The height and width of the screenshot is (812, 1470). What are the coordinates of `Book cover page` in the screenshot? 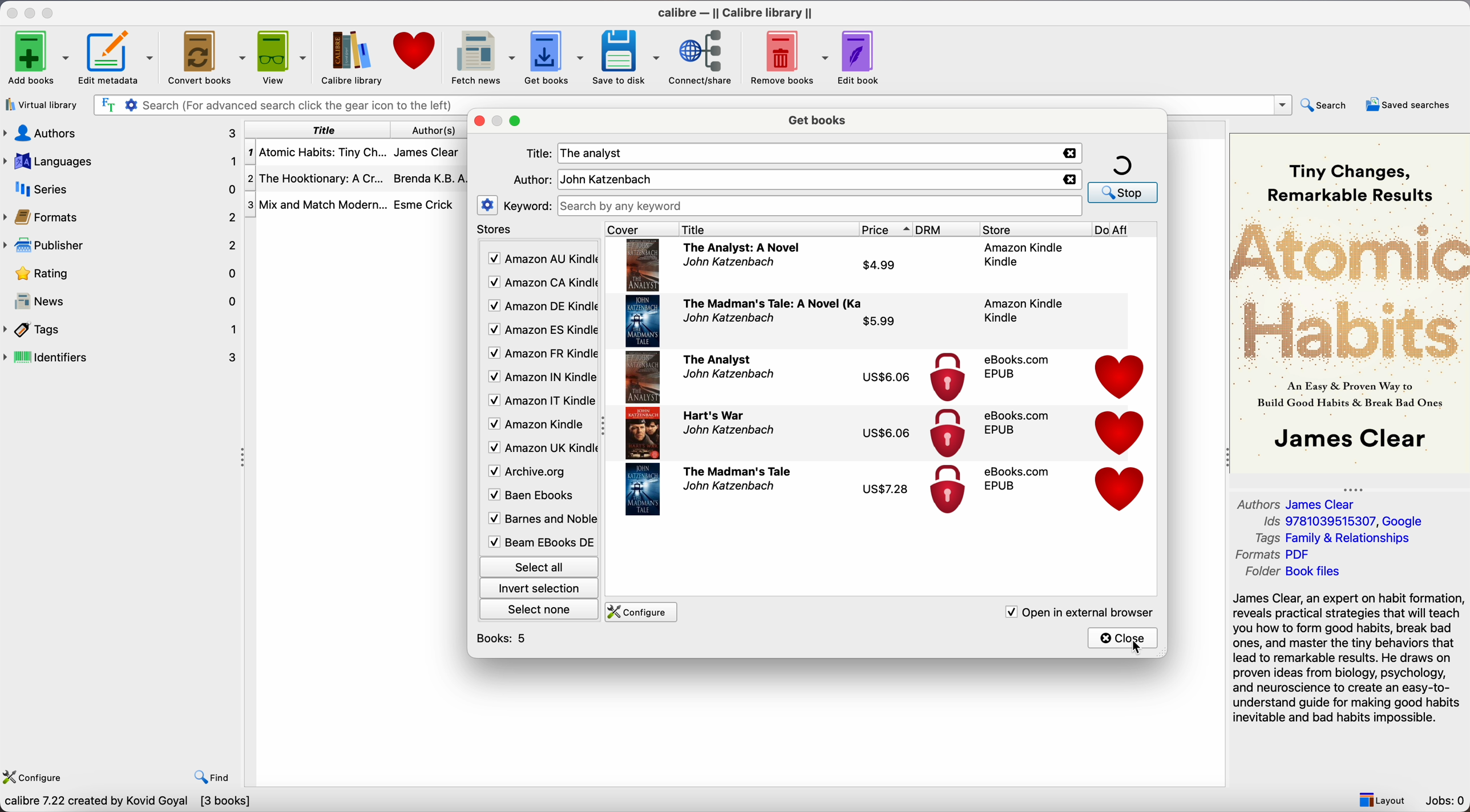 It's located at (643, 434).